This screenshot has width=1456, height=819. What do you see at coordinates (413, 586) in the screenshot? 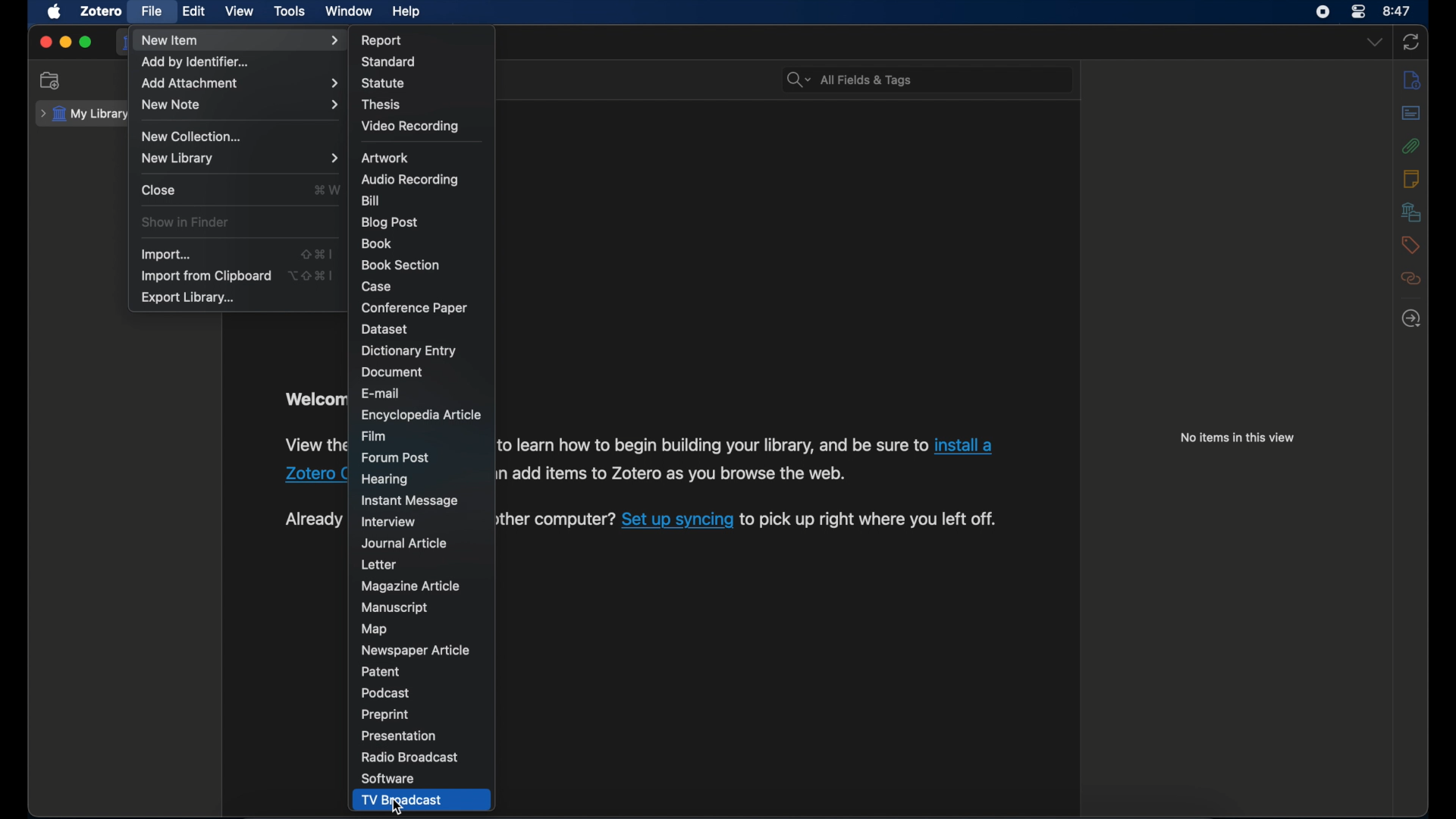
I see `magazine article` at bounding box center [413, 586].